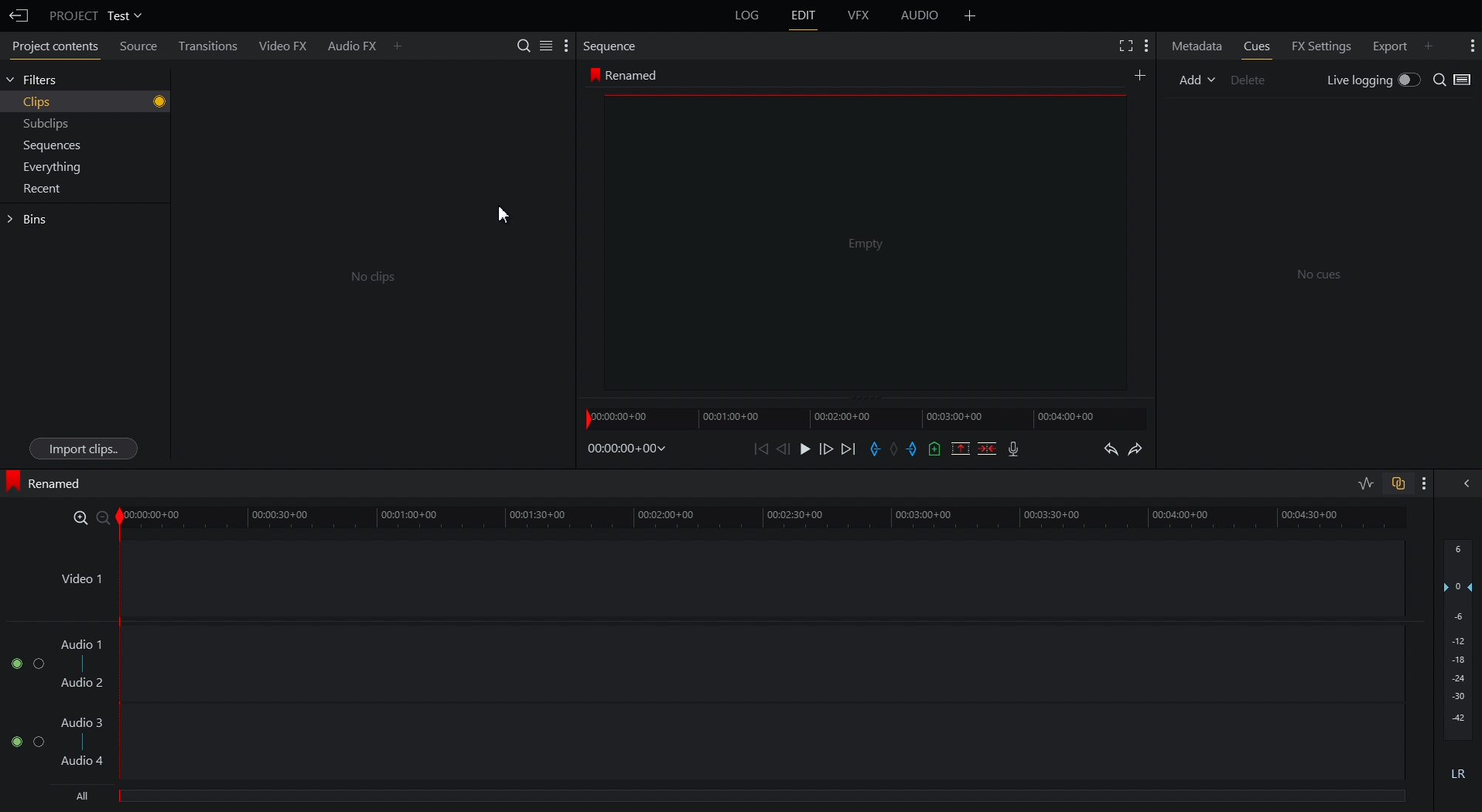 The width and height of the screenshot is (1482, 812). Describe the element at coordinates (96, 14) in the screenshot. I see `Project Test` at that location.